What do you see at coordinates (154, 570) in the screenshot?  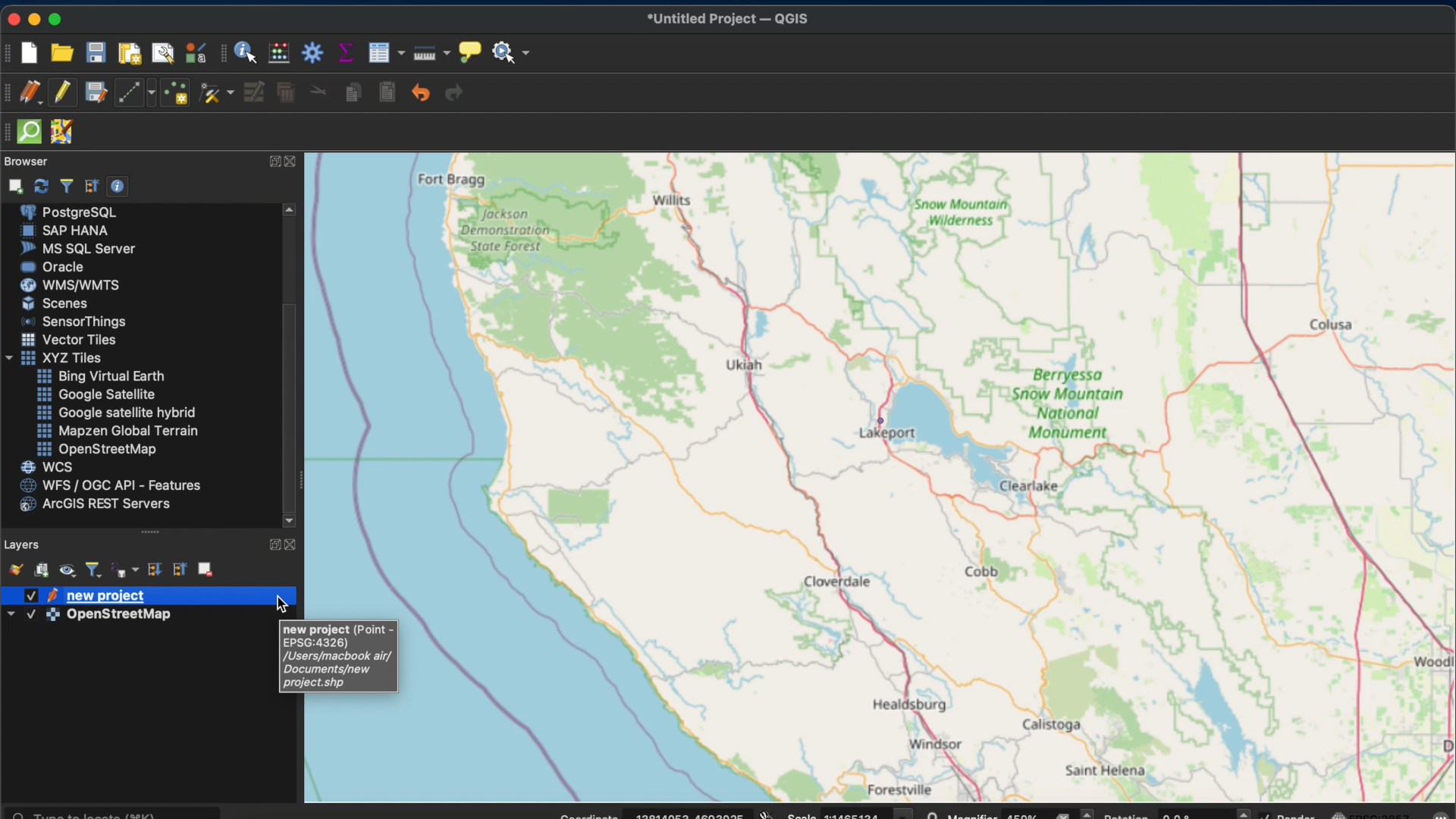 I see `expand all` at bounding box center [154, 570].